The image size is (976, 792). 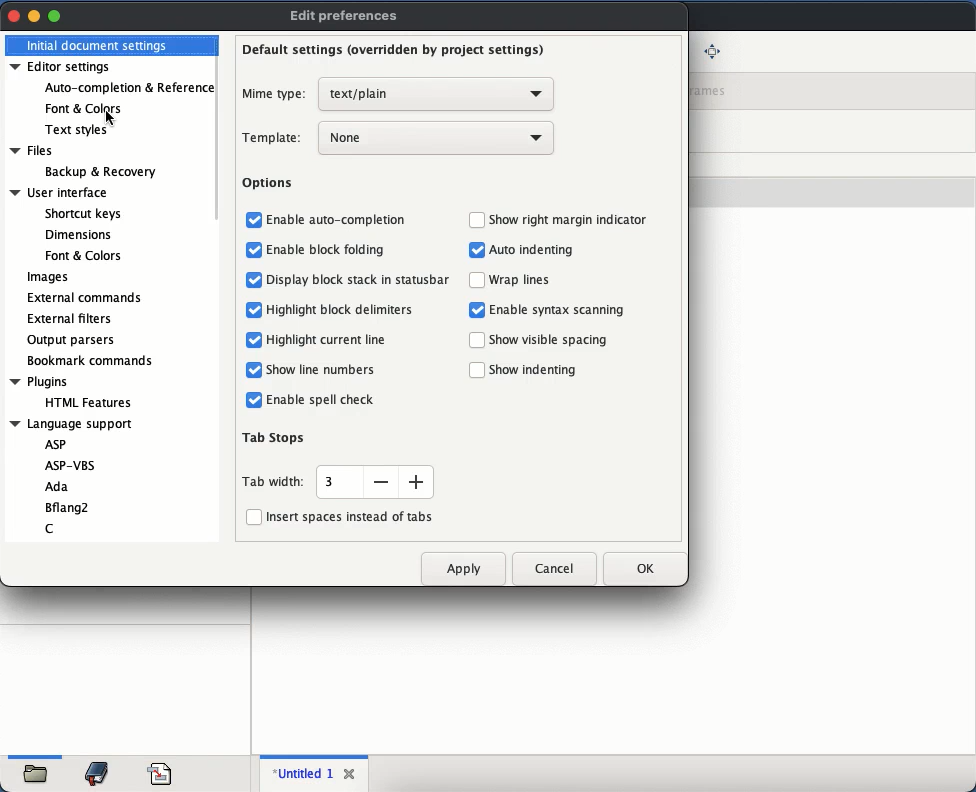 I want to click on checkbox, so click(x=475, y=369).